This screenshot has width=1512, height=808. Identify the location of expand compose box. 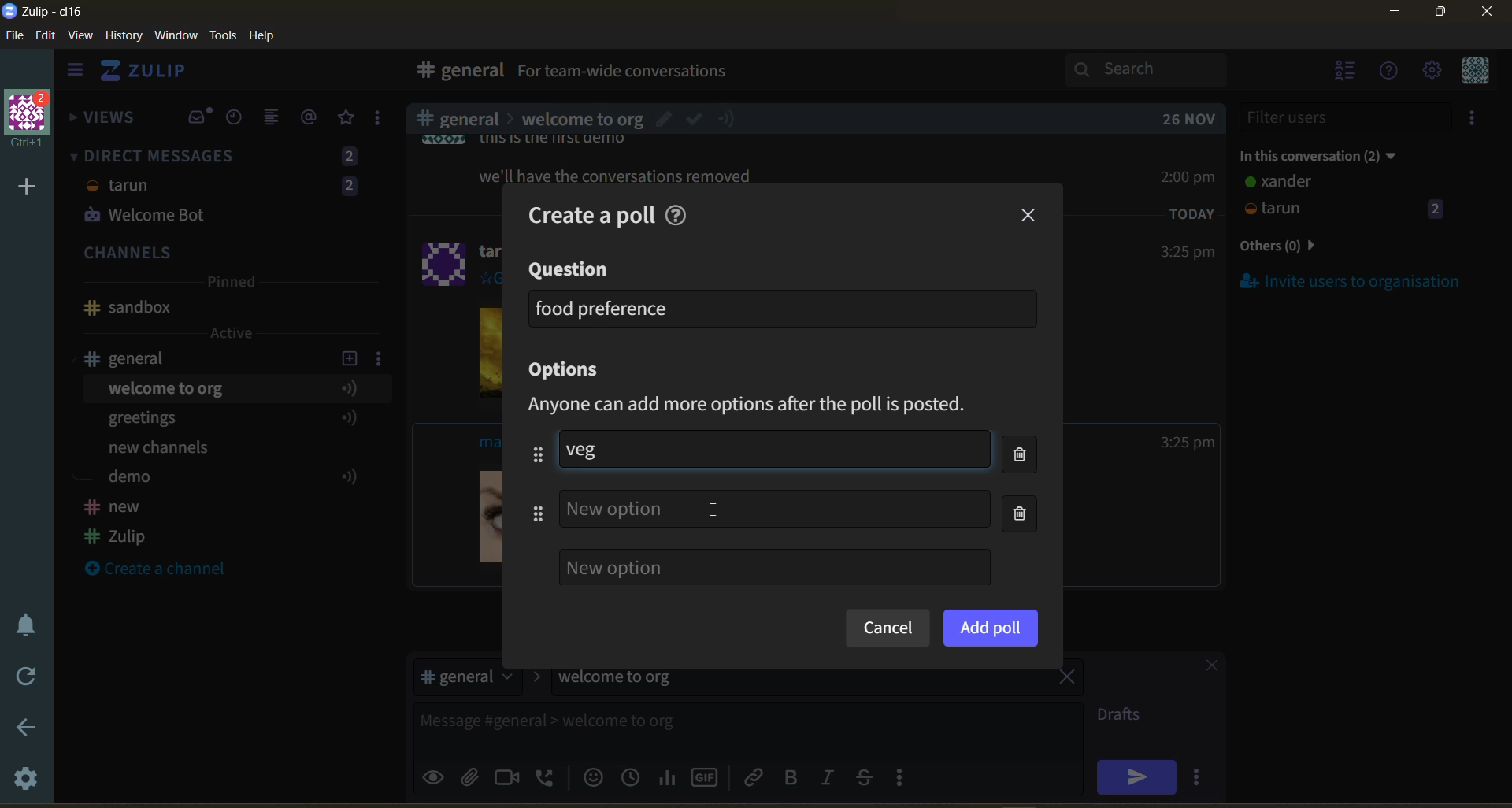
(1068, 715).